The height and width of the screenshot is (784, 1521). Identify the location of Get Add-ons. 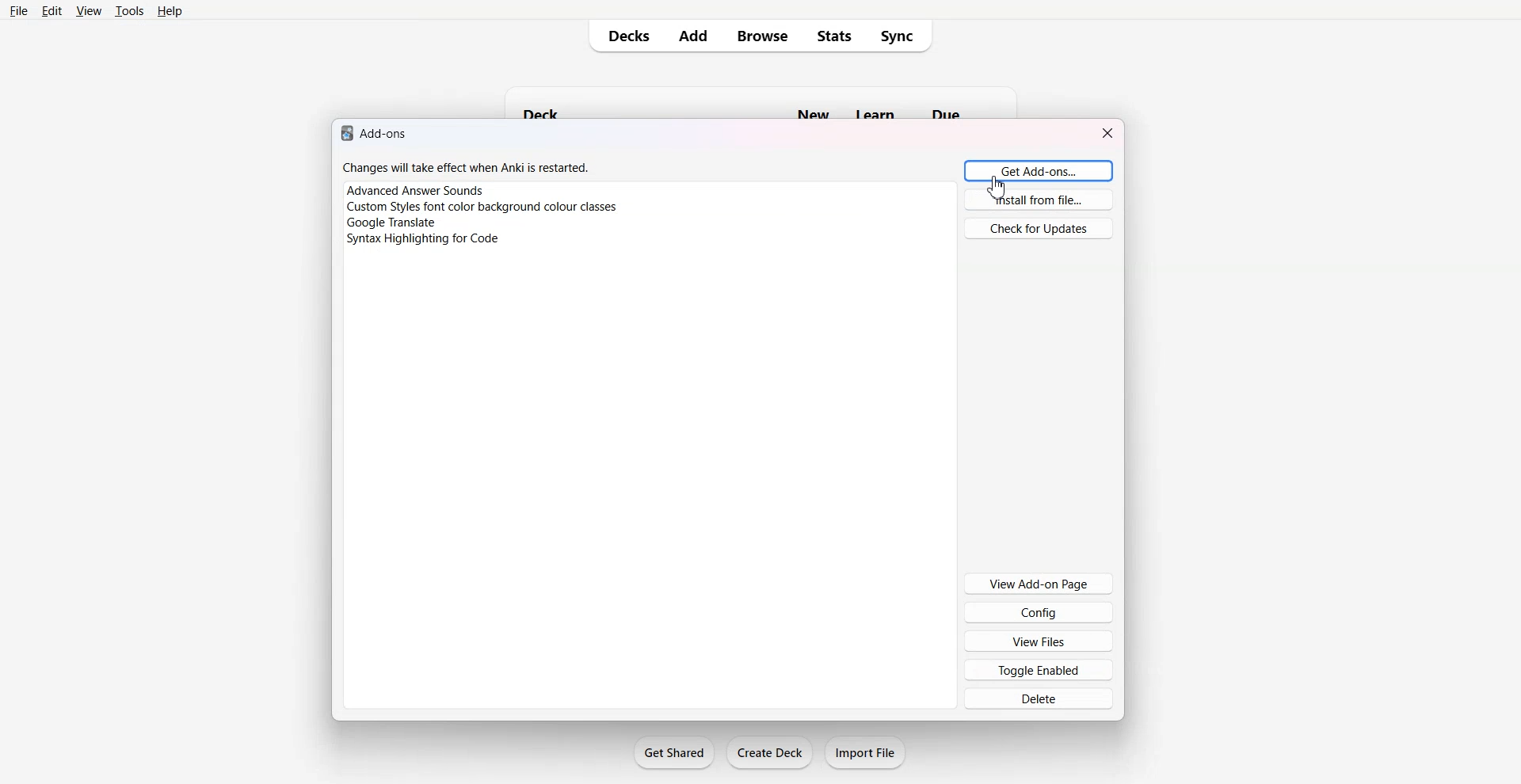
(1039, 170).